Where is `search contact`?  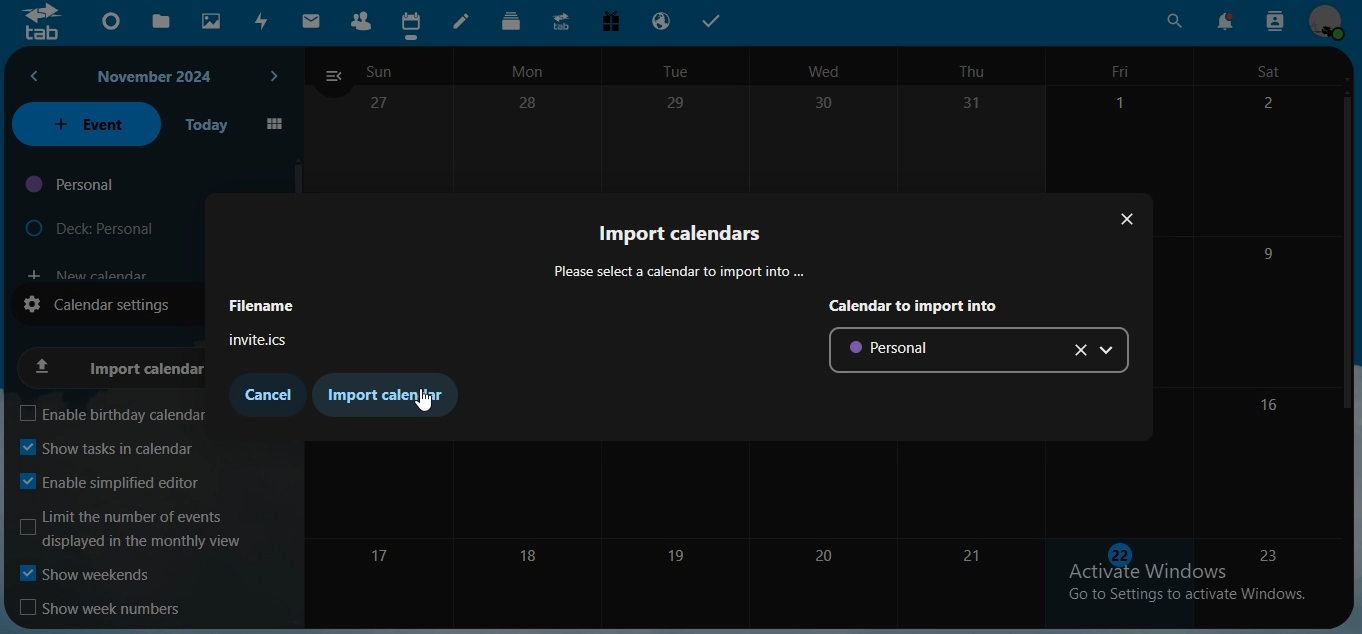
search contact is located at coordinates (1274, 19).